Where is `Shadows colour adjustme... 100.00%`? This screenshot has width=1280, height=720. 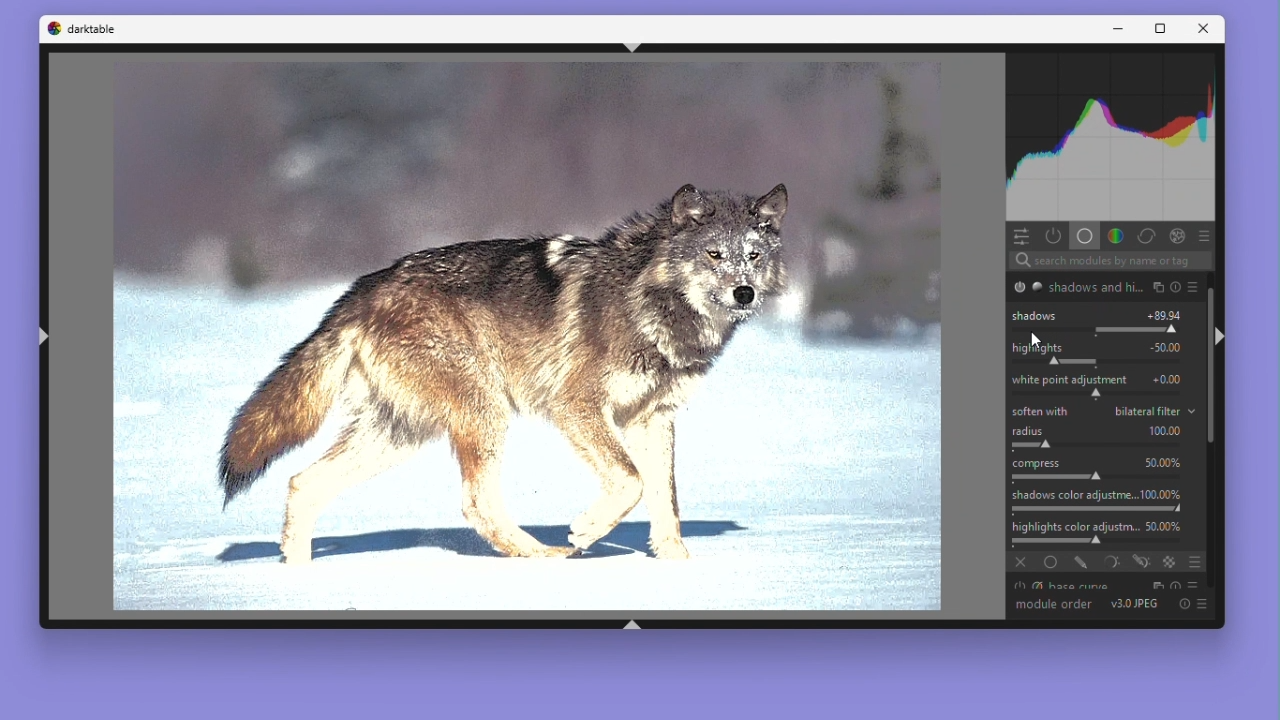 Shadows colour adjustme... 100.00% is located at coordinates (1098, 495).